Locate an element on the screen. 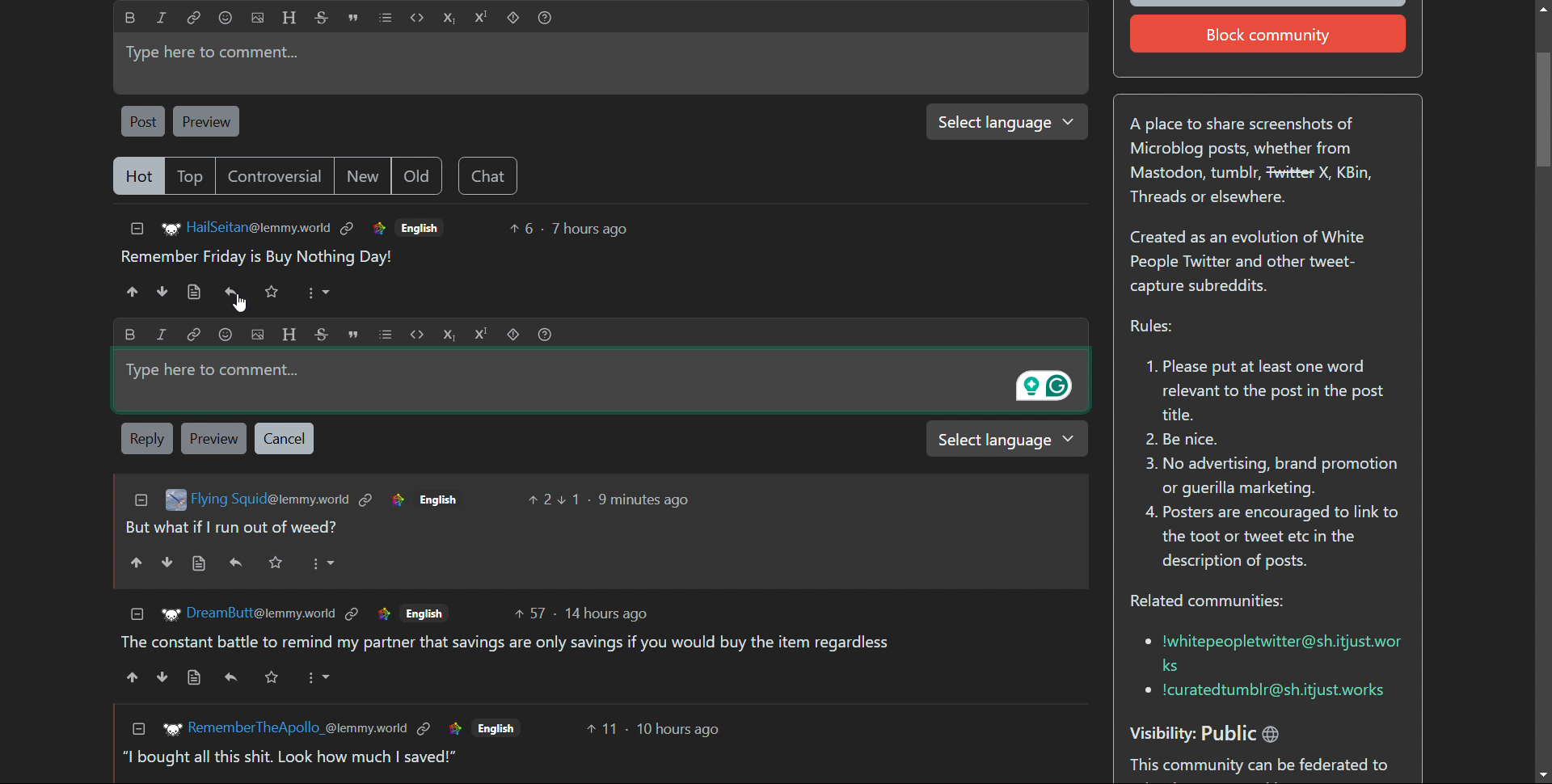 This screenshot has width=1552, height=784. time of posting is located at coordinates (589, 229).